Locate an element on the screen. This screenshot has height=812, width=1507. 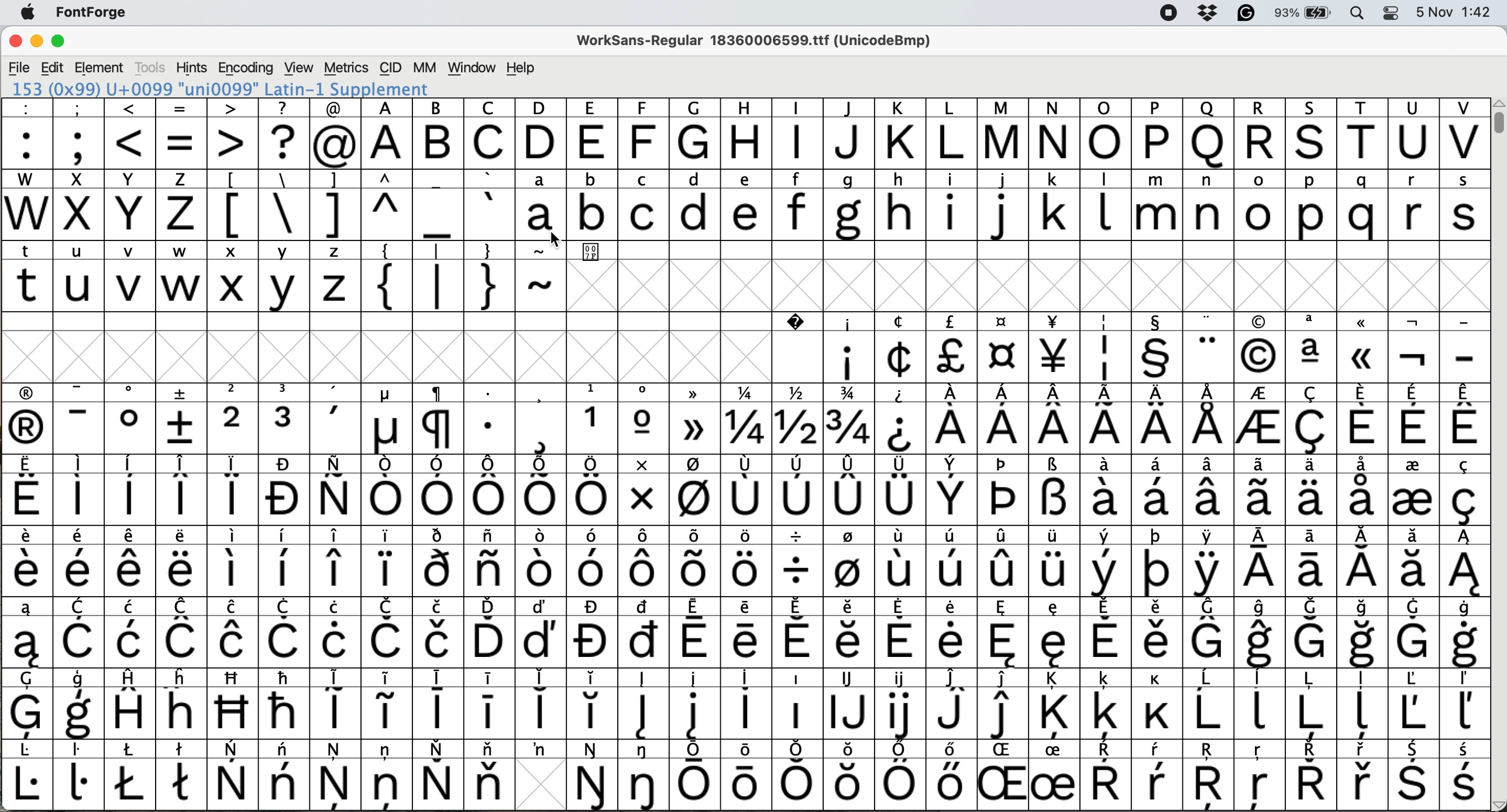
symbol is located at coordinates (952, 349).